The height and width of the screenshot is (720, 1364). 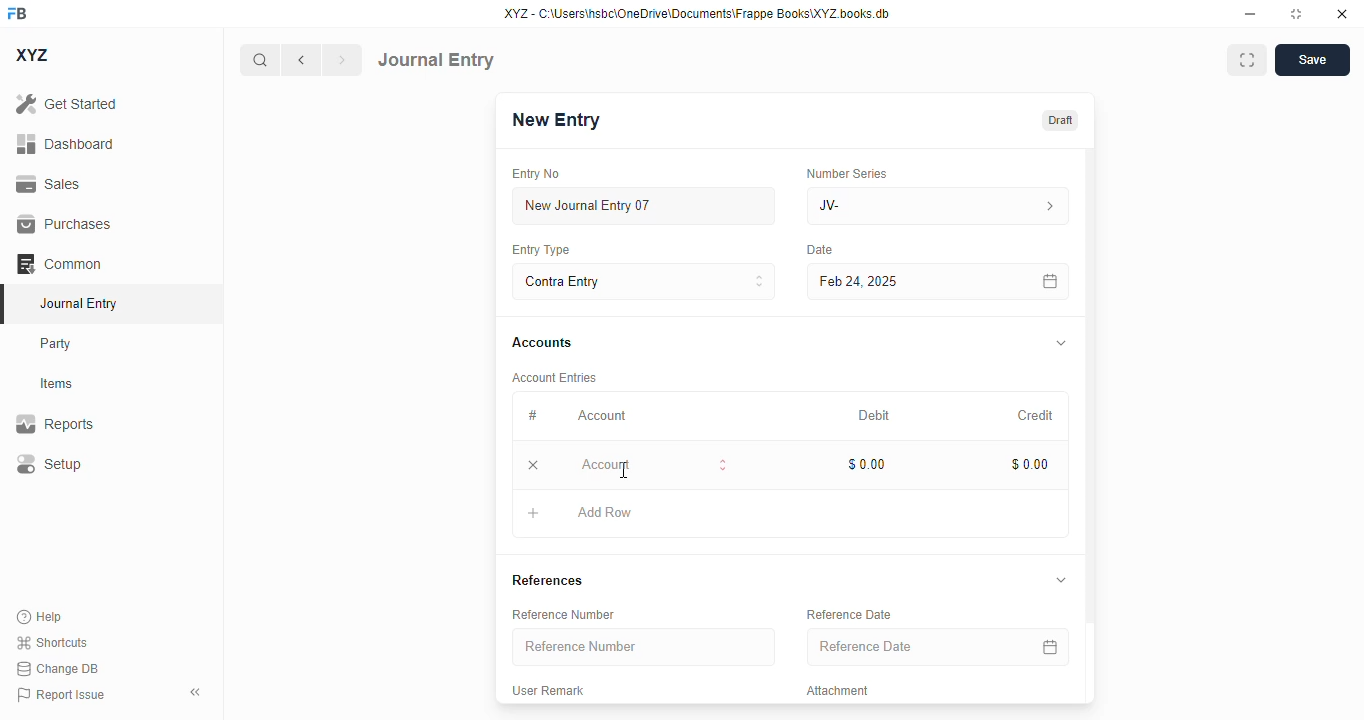 I want to click on account, so click(x=602, y=416).